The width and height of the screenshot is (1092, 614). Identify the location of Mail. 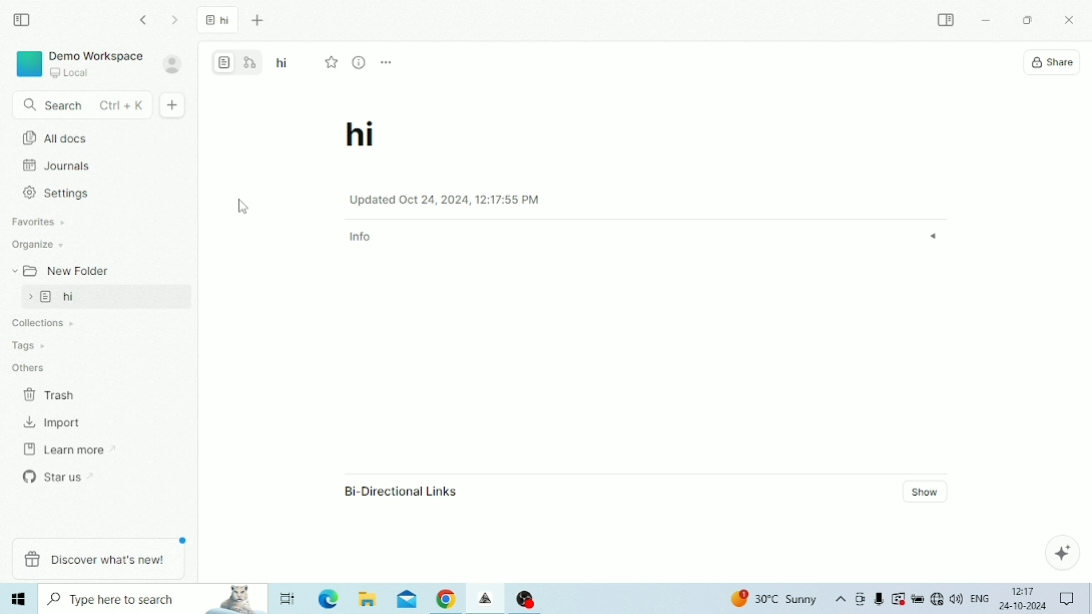
(407, 600).